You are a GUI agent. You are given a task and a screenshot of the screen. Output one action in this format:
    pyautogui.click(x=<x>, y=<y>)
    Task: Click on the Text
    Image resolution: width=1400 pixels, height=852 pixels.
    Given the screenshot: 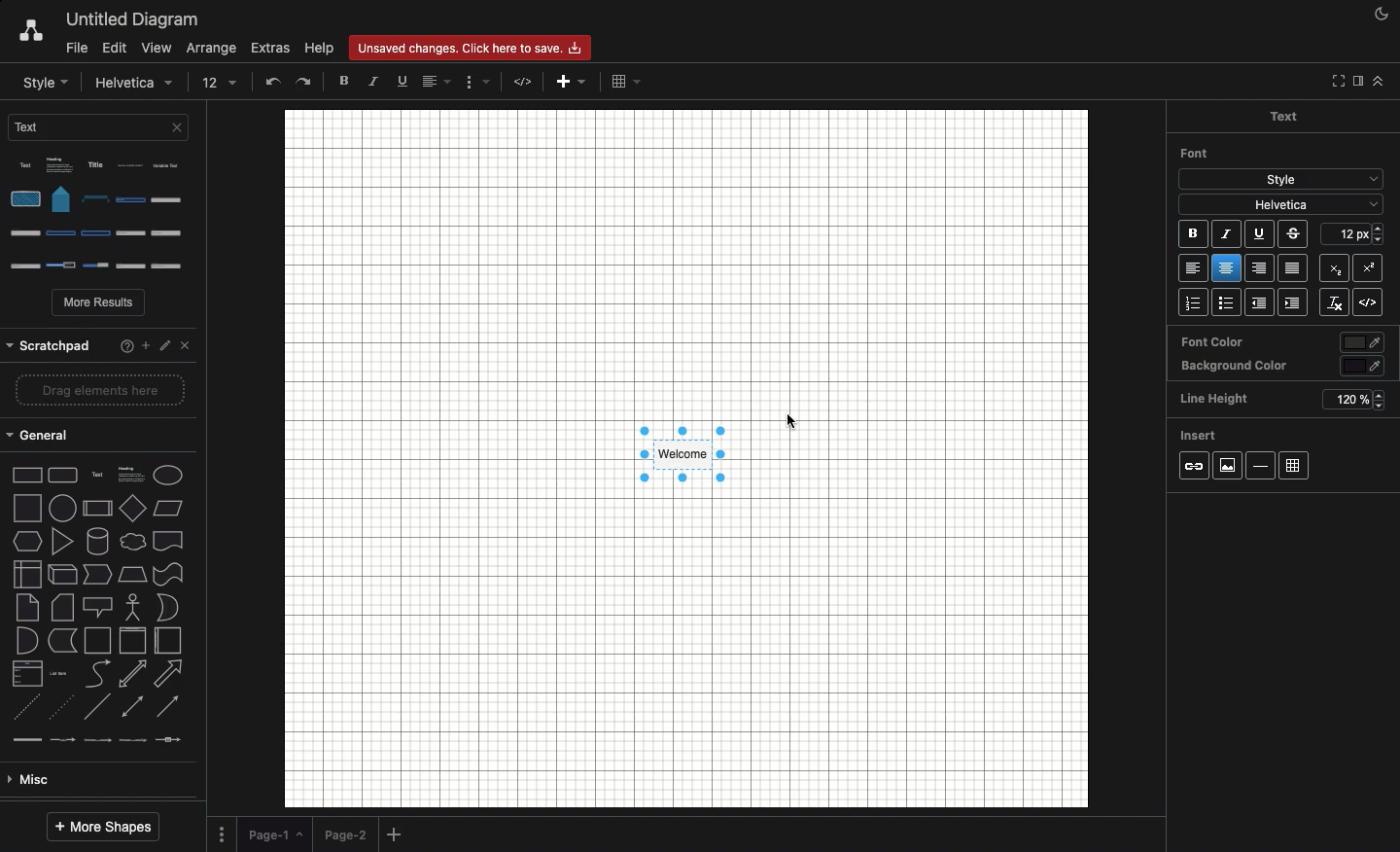 What is the action you would take?
    pyautogui.click(x=102, y=132)
    